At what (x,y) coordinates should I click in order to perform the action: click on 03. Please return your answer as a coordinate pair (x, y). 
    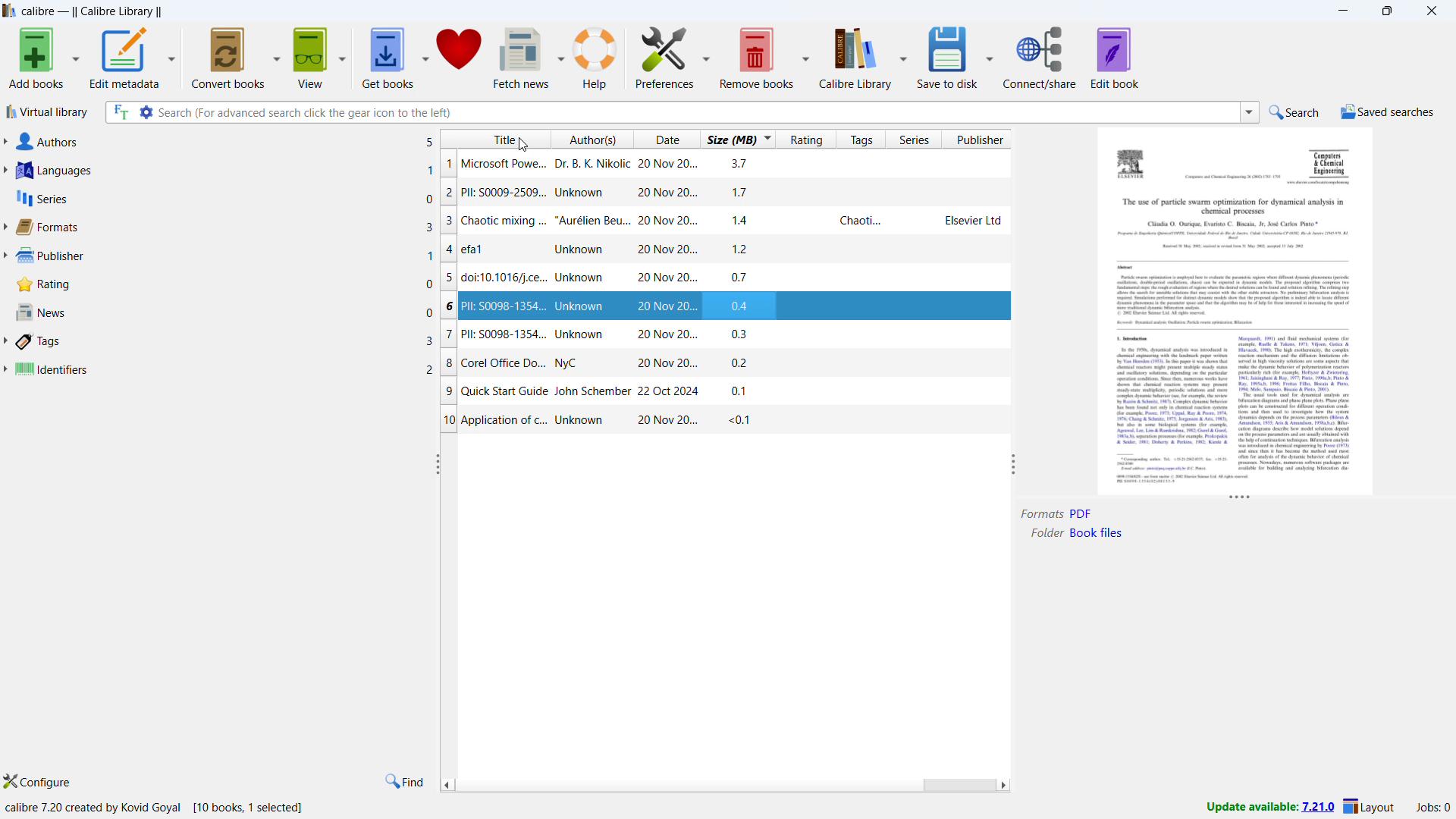
    Looking at the image, I should click on (742, 333).